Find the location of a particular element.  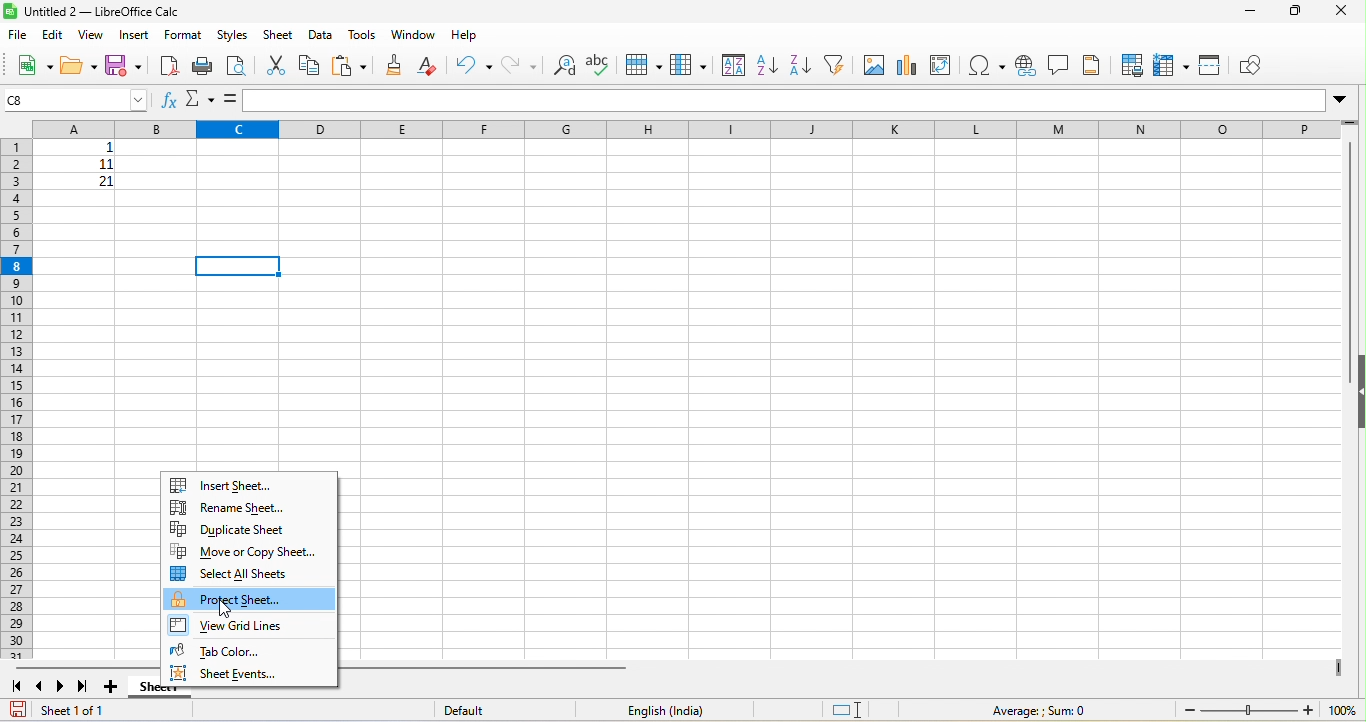

last sheet is located at coordinates (85, 686).